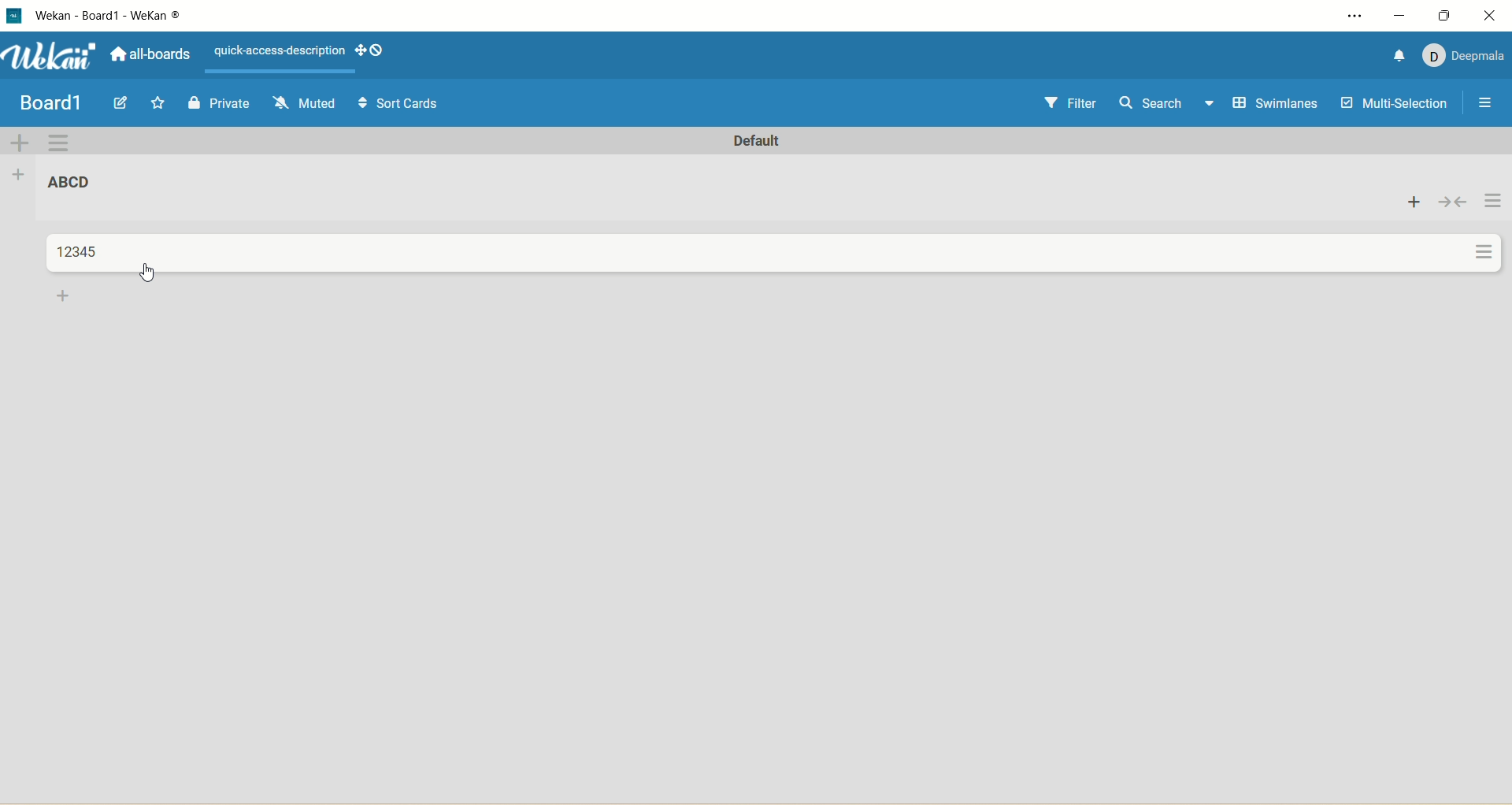 This screenshot has height=805, width=1512. What do you see at coordinates (1277, 105) in the screenshot?
I see `swimlanes` at bounding box center [1277, 105].